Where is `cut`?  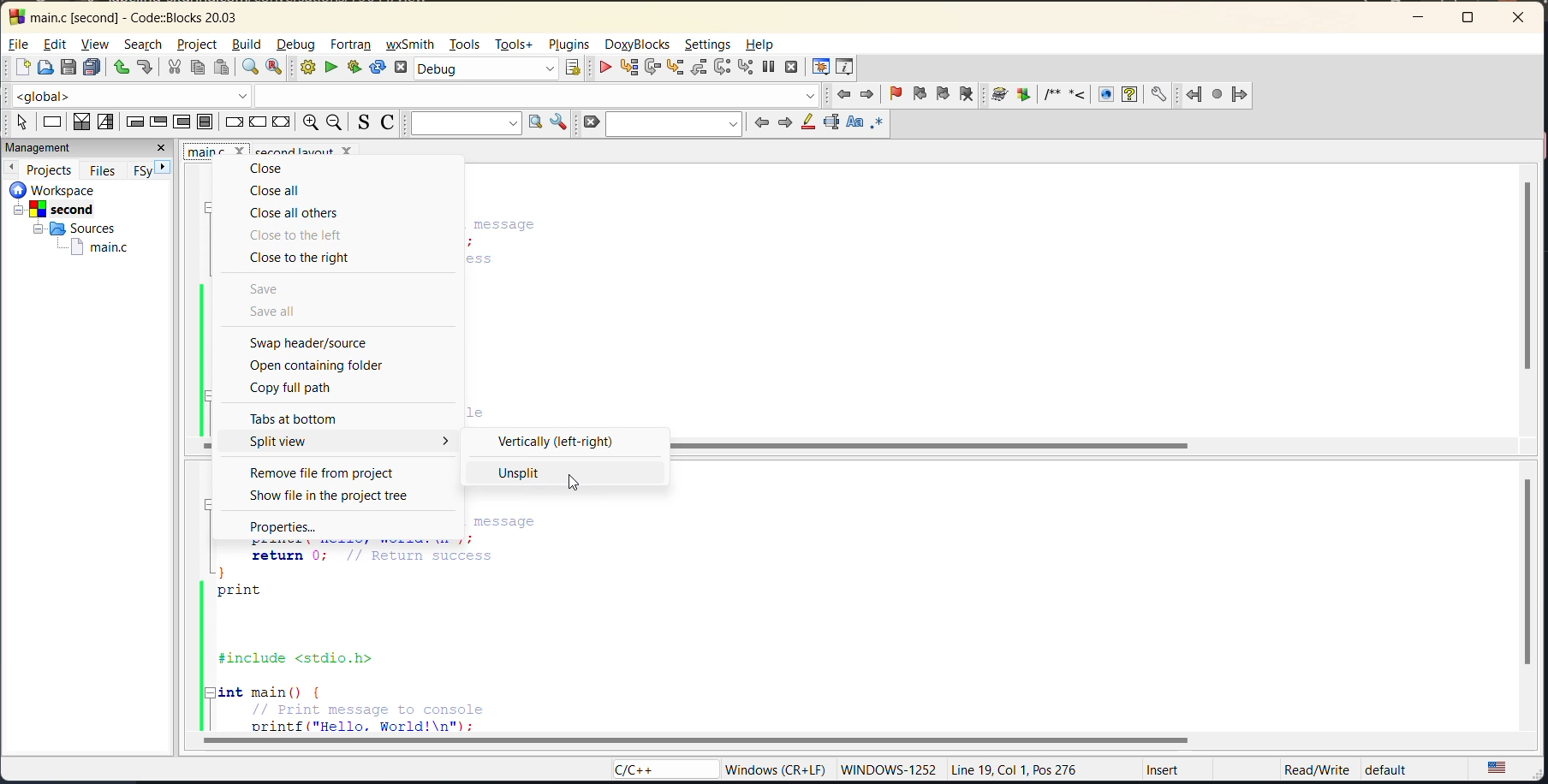
cut is located at coordinates (173, 68).